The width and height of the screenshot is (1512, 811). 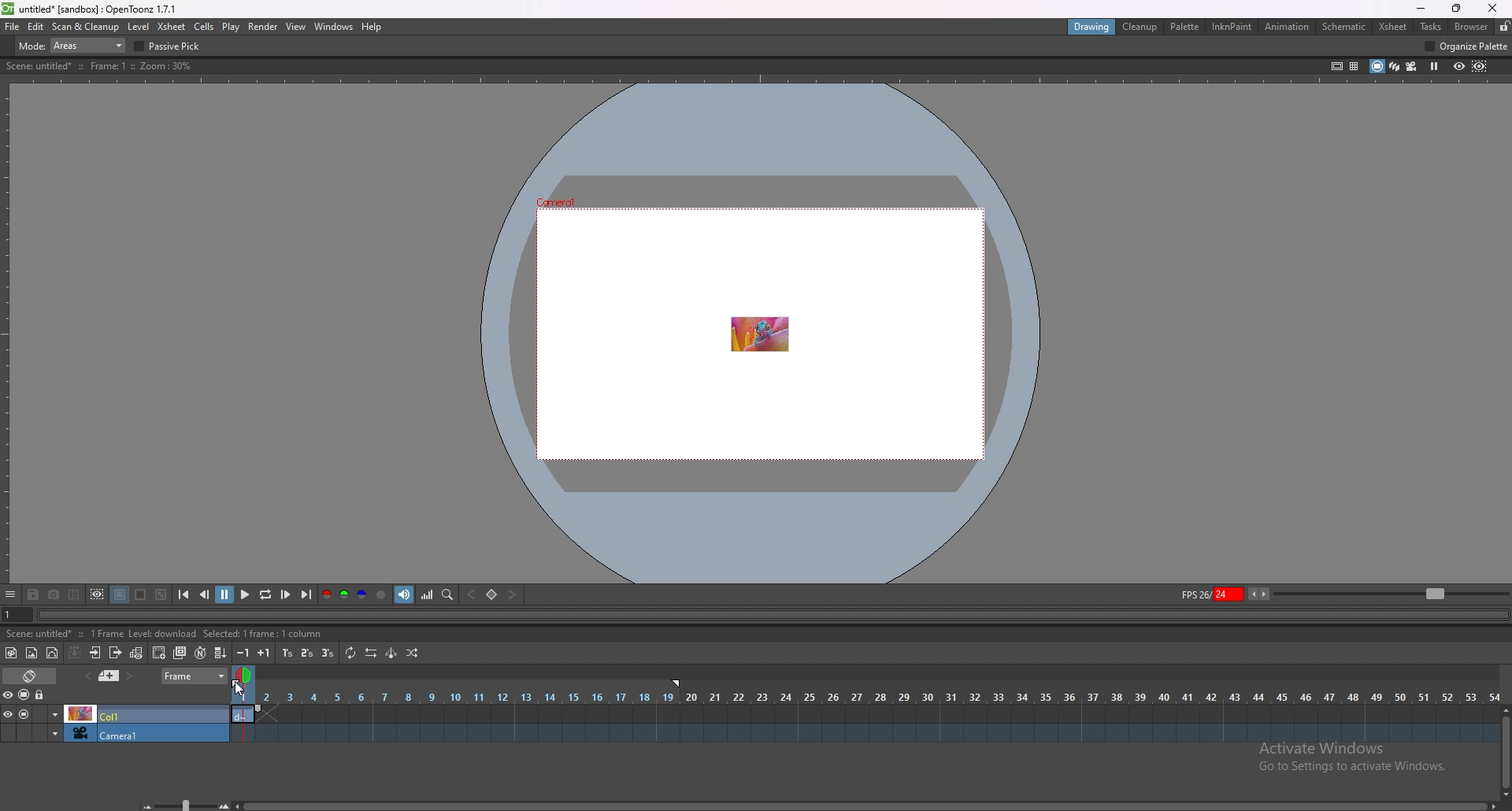 What do you see at coordinates (243, 653) in the screenshot?
I see `decrease step` at bounding box center [243, 653].